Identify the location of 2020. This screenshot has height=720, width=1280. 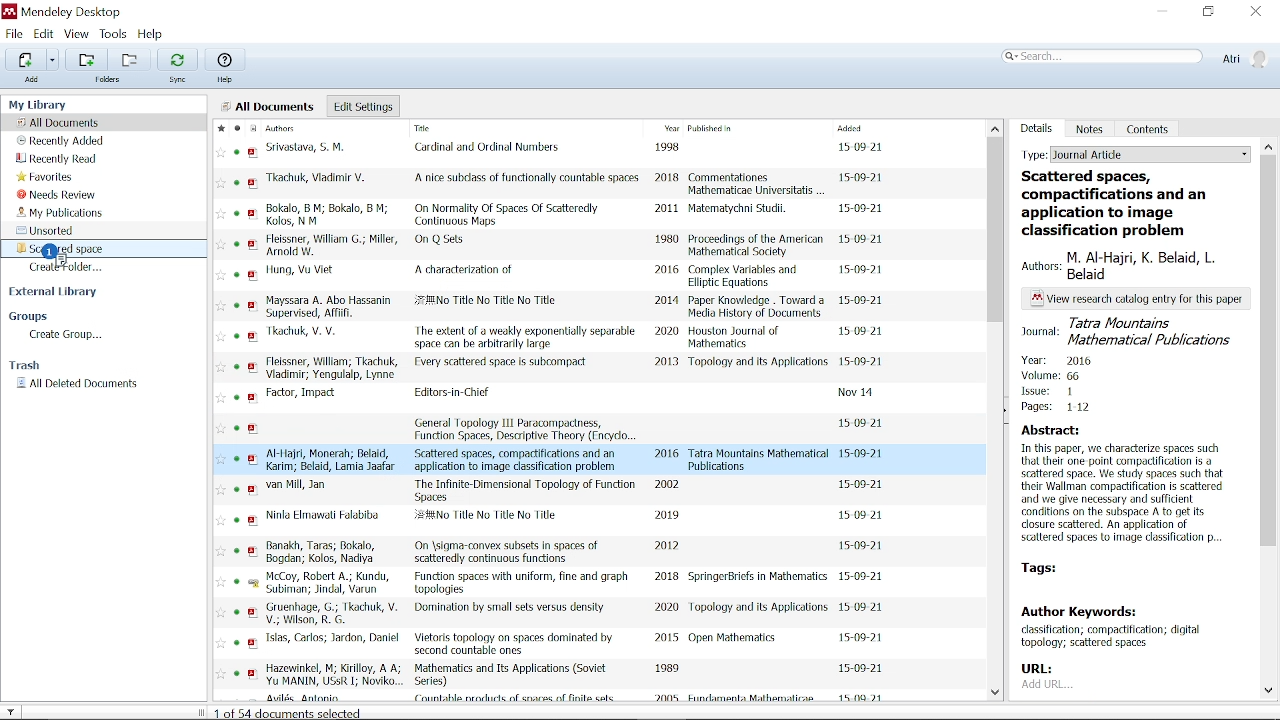
(665, 607).